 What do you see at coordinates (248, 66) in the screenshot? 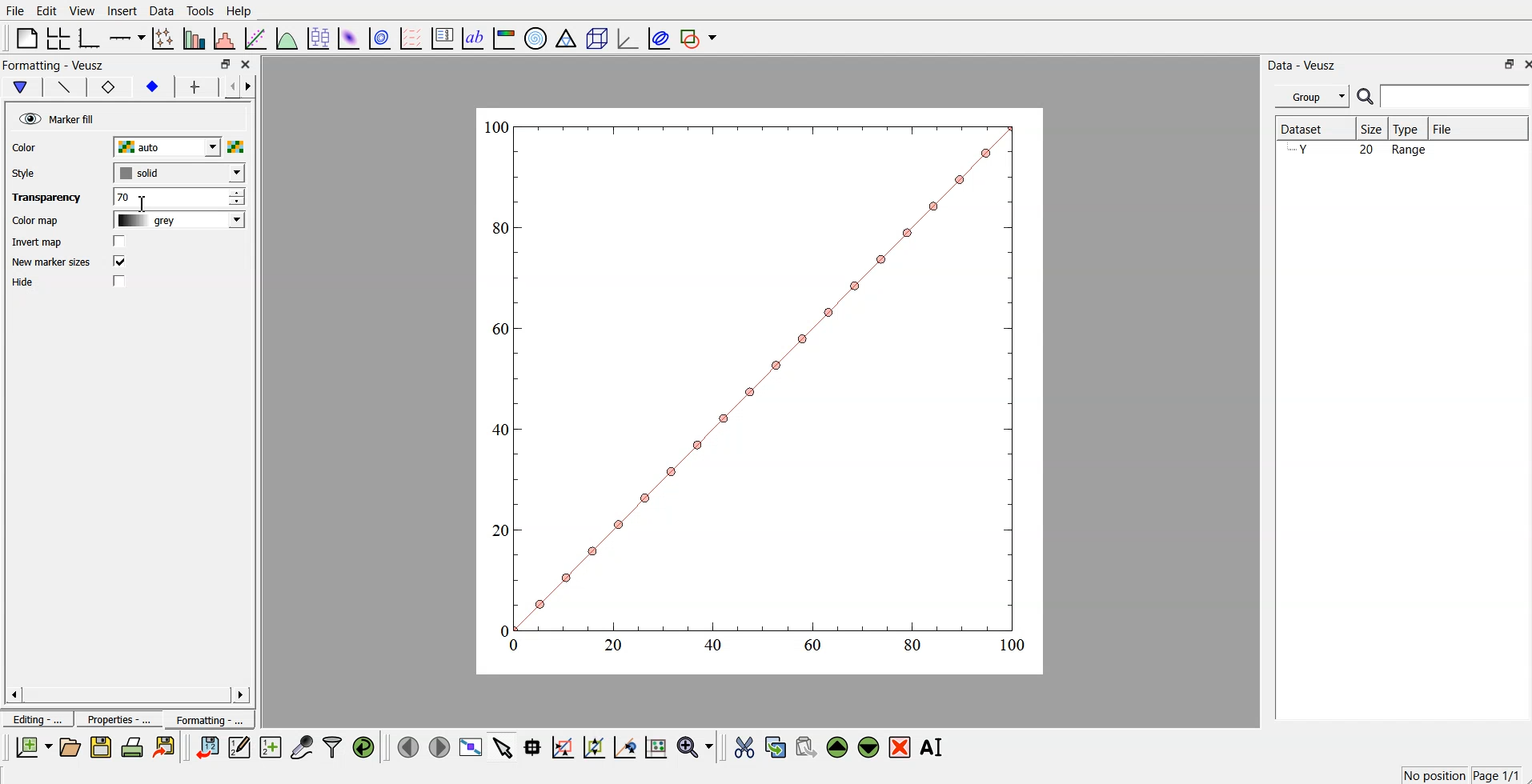
I see `Close` at bounding box center [248, 66].